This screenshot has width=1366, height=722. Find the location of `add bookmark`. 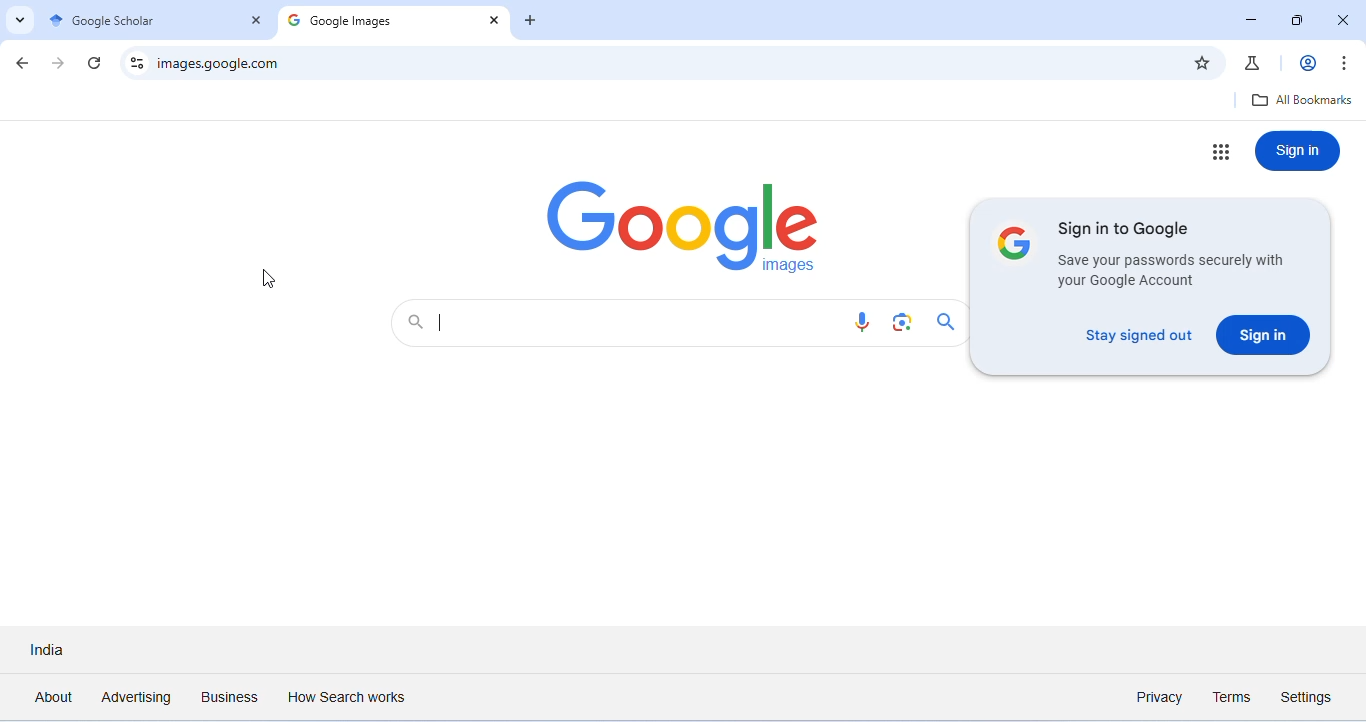

add bookmark is located at coordinates (1202, 61).